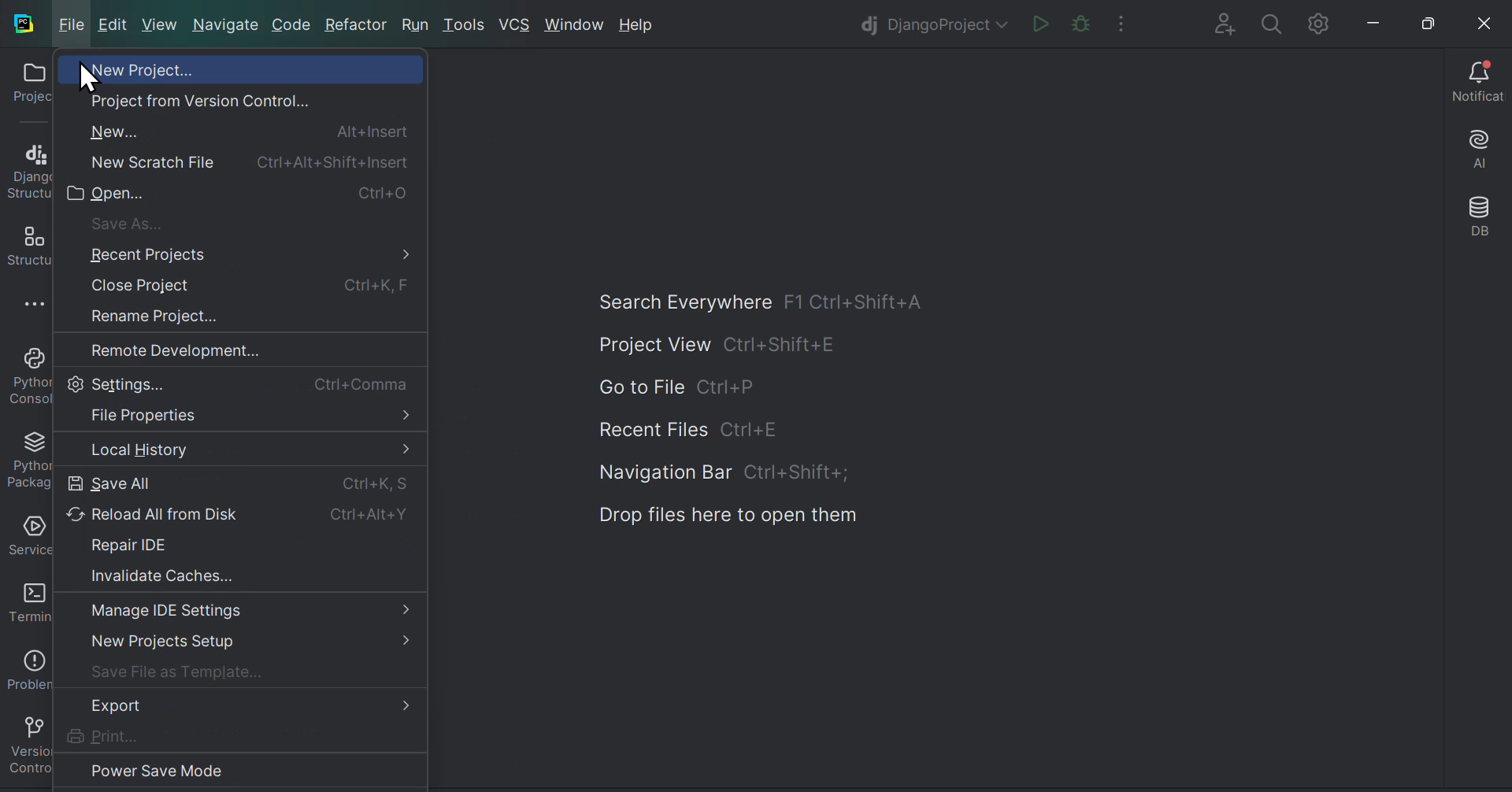  Describe the element at coordinates (1476, 147) in the screenshot. I see `AI assistant` at that location.